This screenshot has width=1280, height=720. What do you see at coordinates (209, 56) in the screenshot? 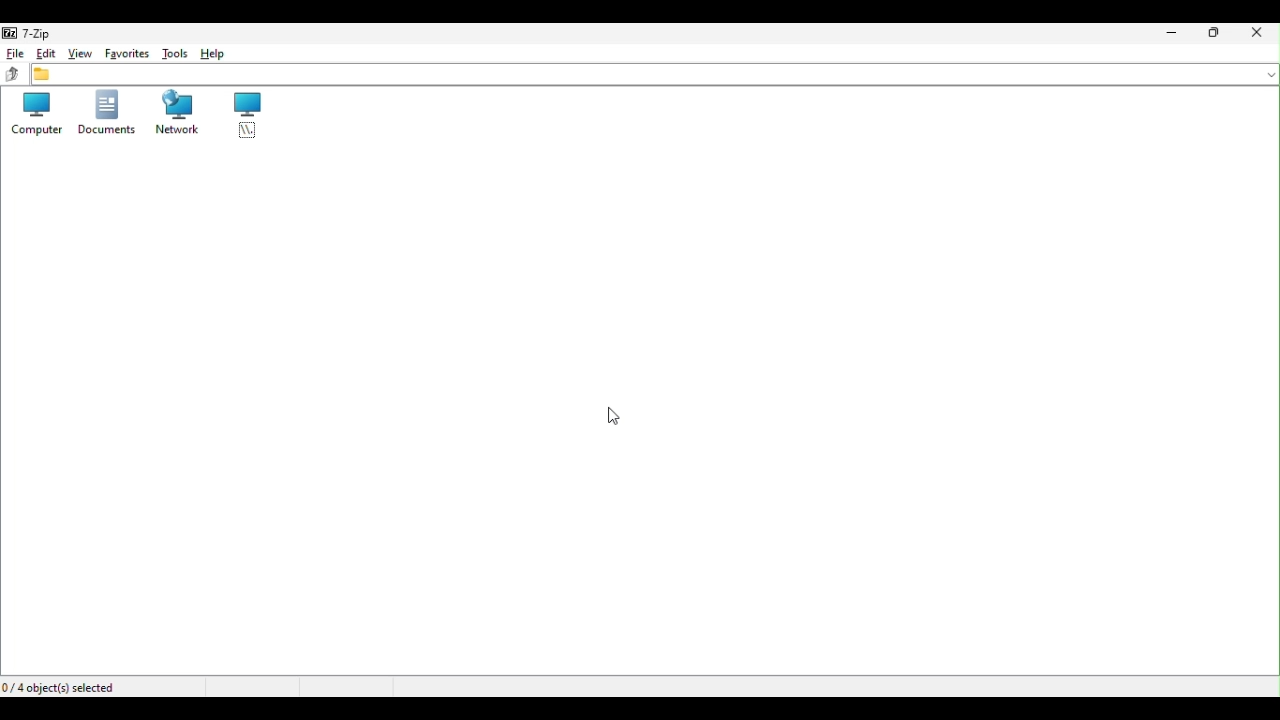
I see `Help` at bounding box center [209, 56].